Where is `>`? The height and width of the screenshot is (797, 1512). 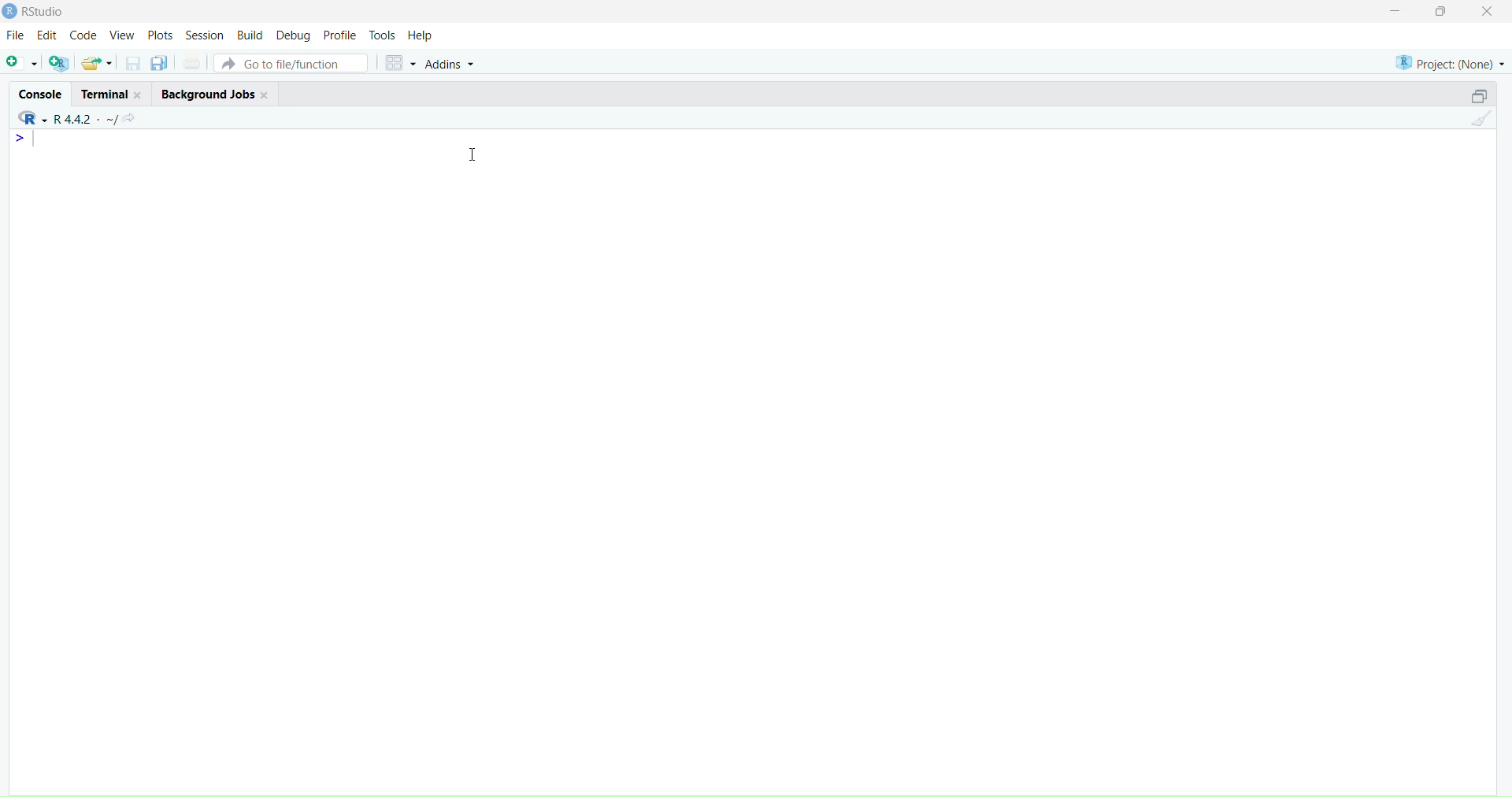
> is located at coordinates (22, 139).